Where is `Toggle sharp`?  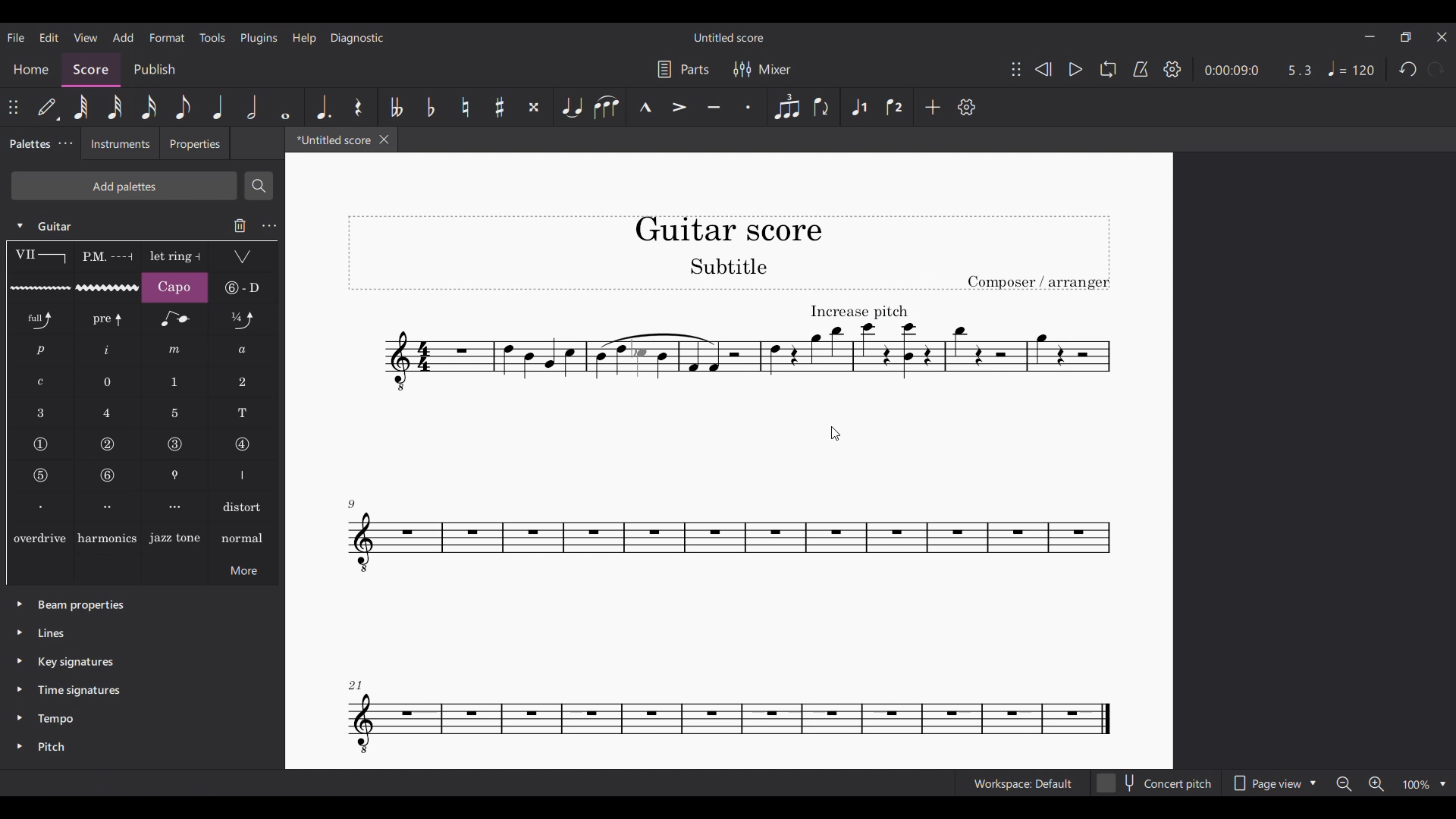
Toggle sharp is located at coordinates (500, 107).